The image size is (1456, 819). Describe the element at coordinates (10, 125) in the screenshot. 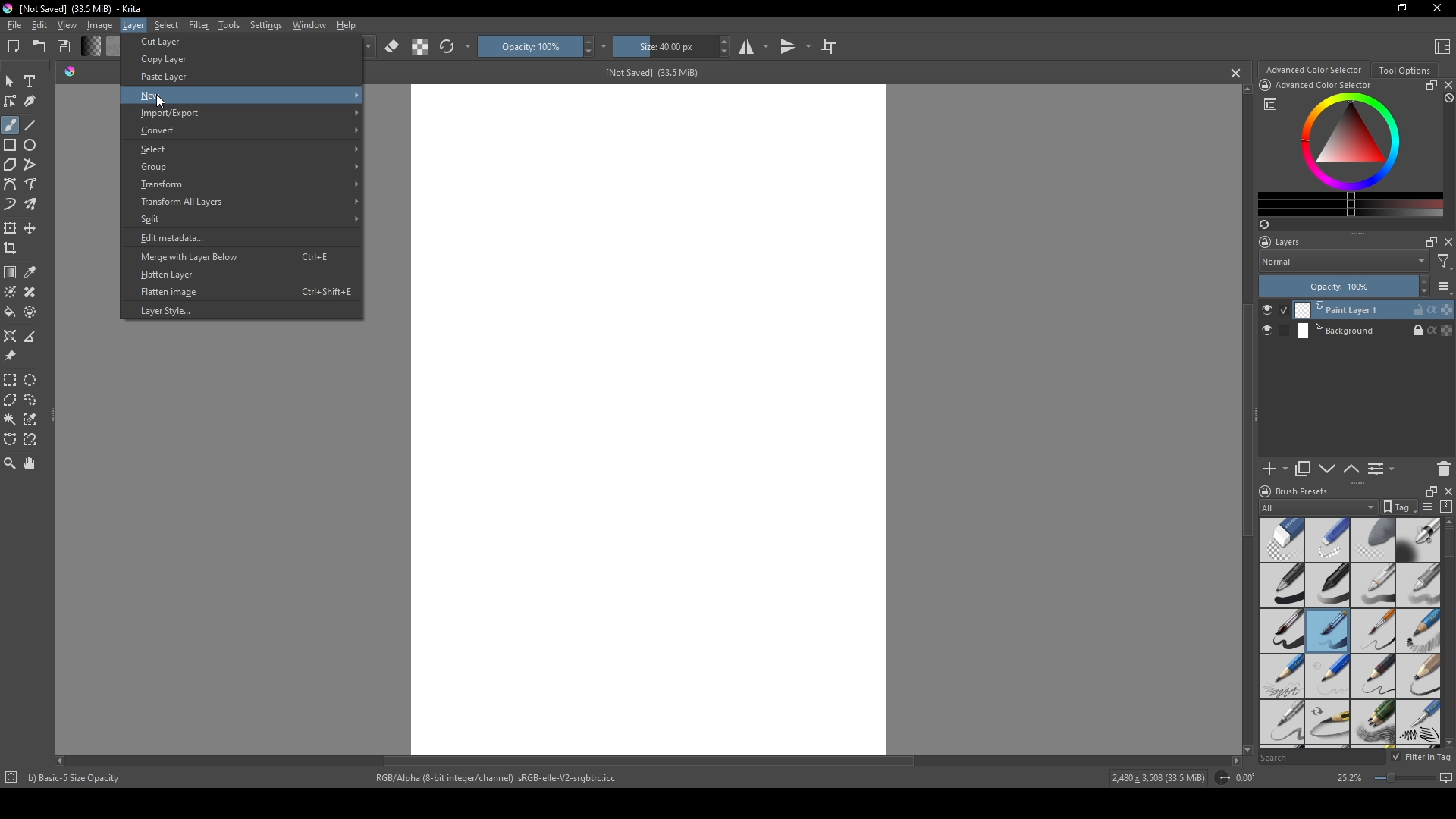

I see `brush` at that location.